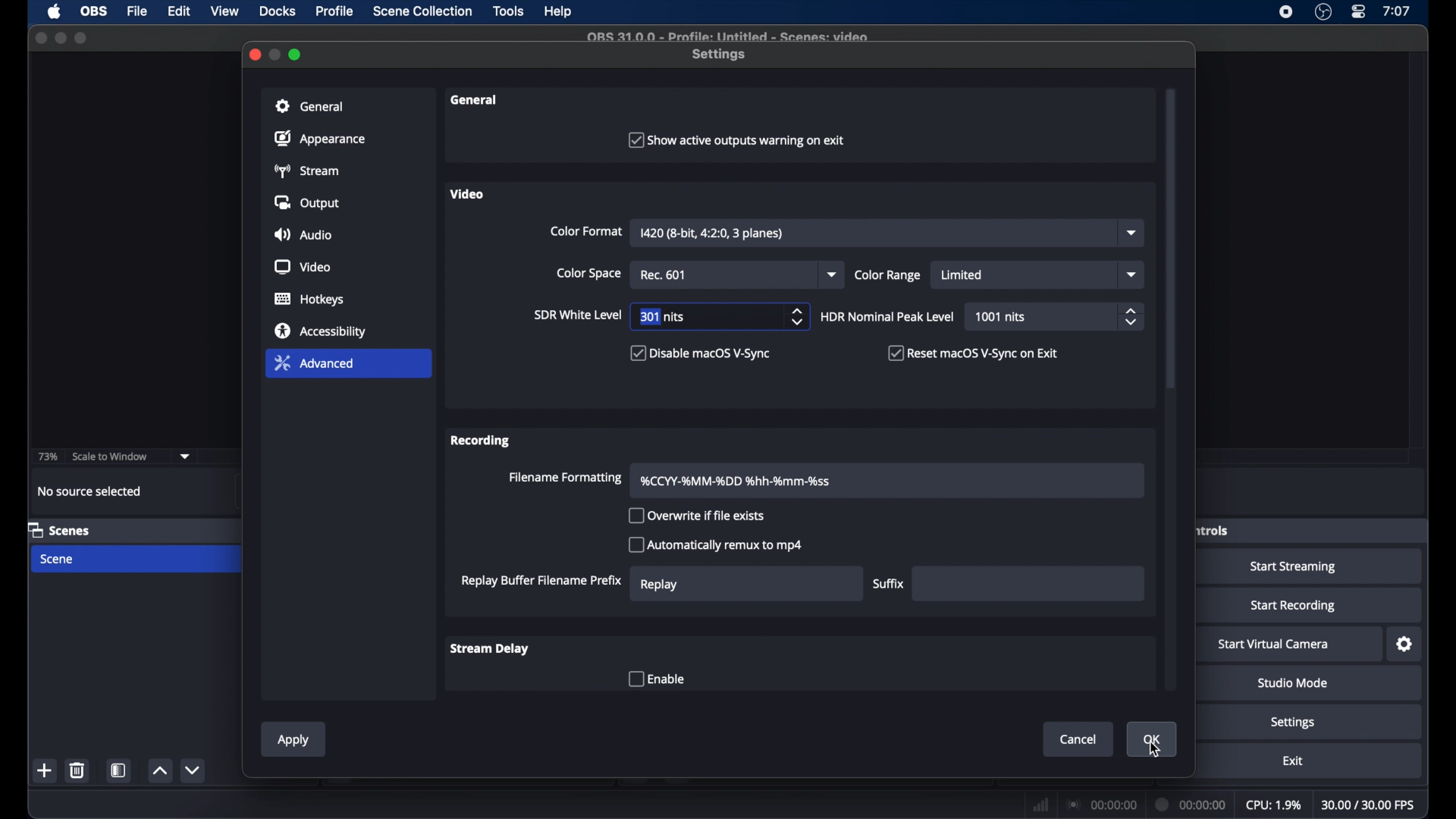  What do you see at coordinates (1293, 760) in the screenshot?
I see `exit` at bounding box center [1293, 760].